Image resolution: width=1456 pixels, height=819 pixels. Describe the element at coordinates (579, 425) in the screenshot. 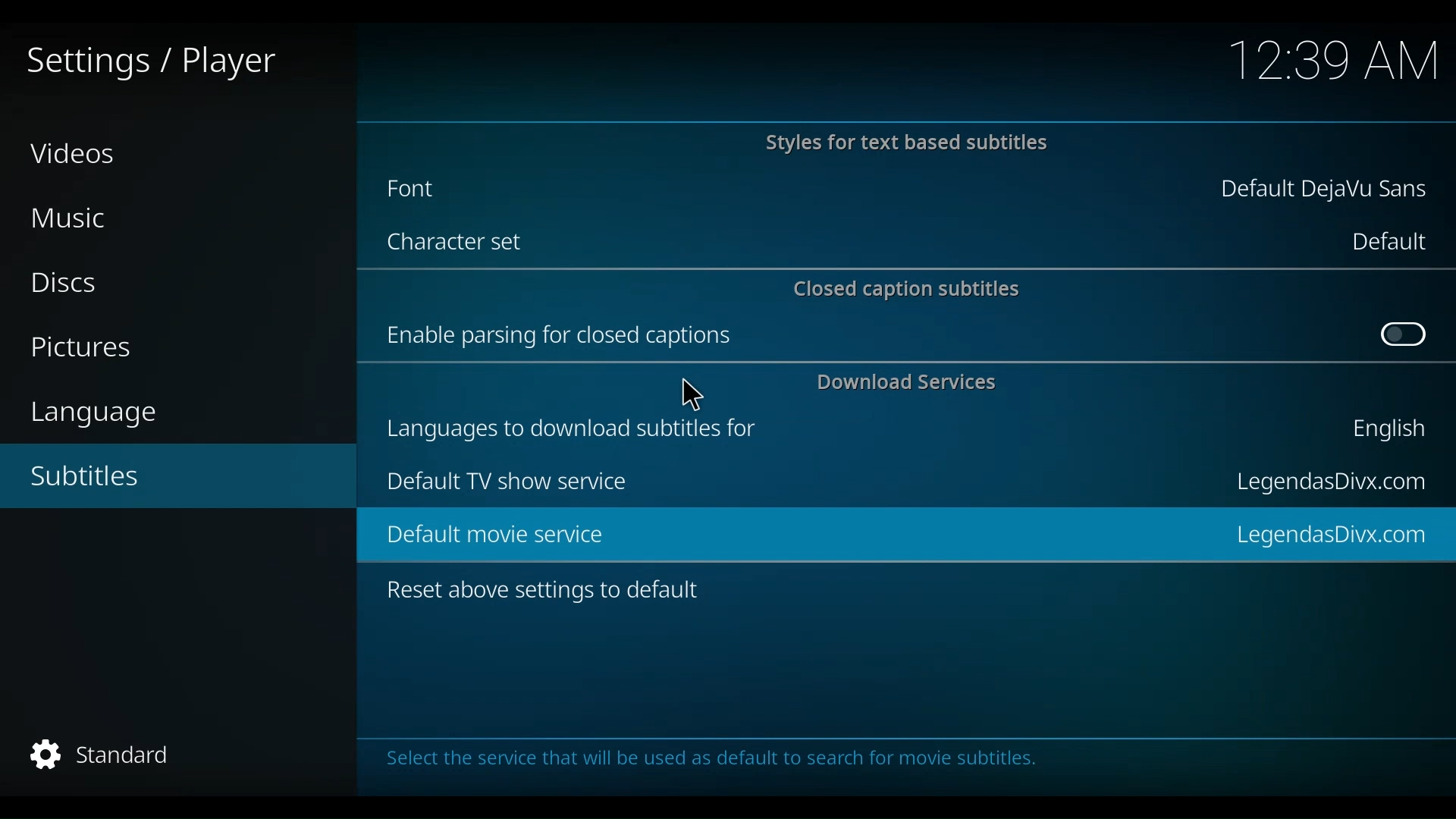

I see `languages to download subtitles for` at that location.